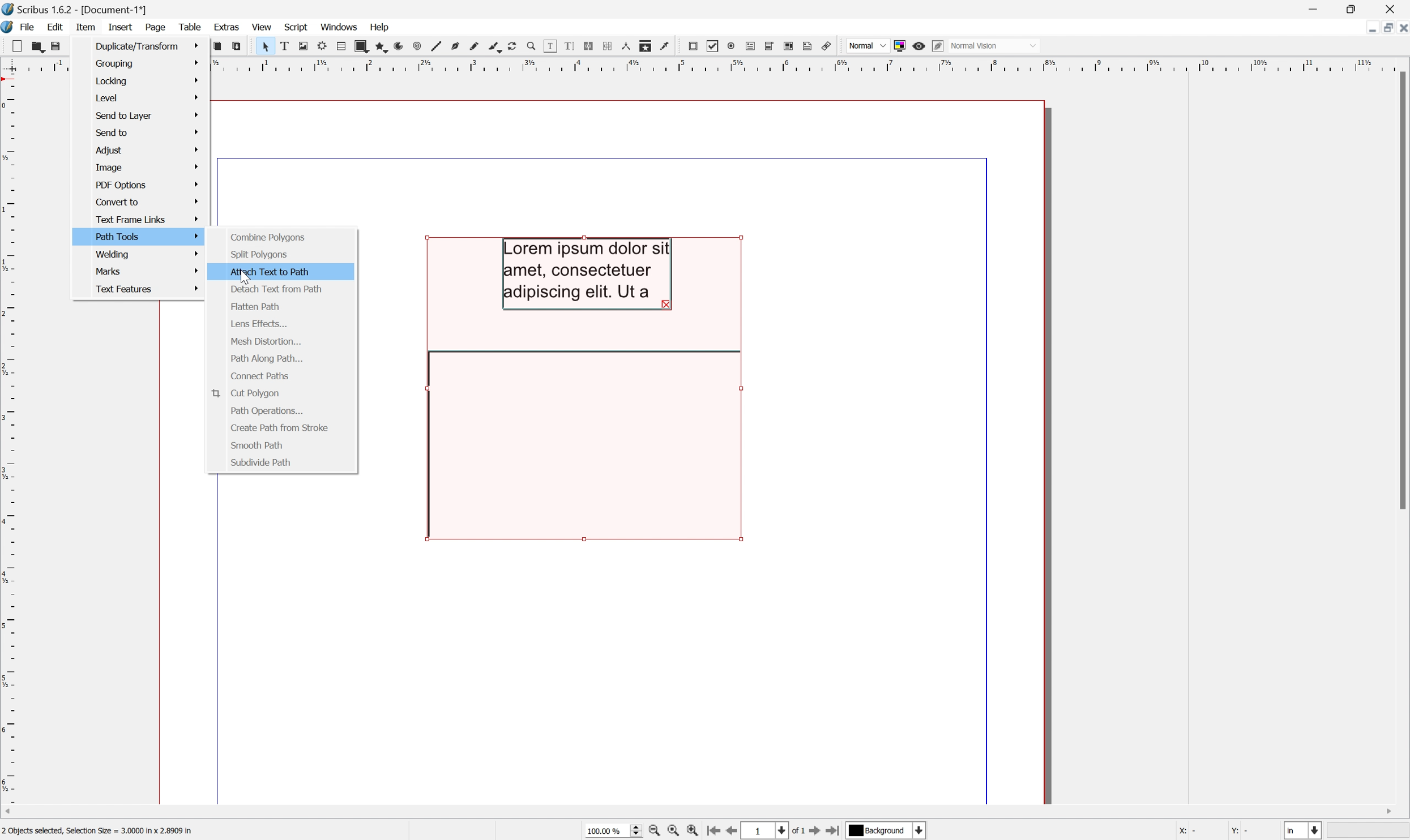 This screenshot has height=840, width=1410. I want to click on Script, so click(296, 25).